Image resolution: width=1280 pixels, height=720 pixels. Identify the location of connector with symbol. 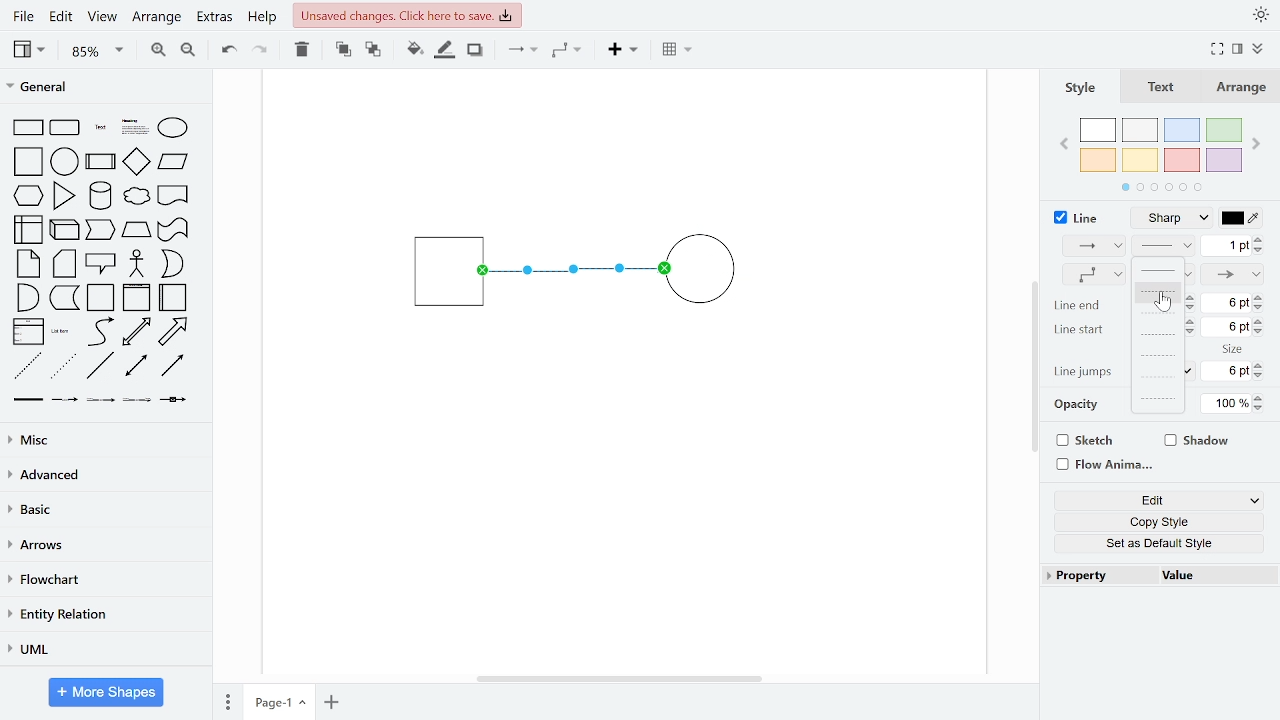
(176, 398).